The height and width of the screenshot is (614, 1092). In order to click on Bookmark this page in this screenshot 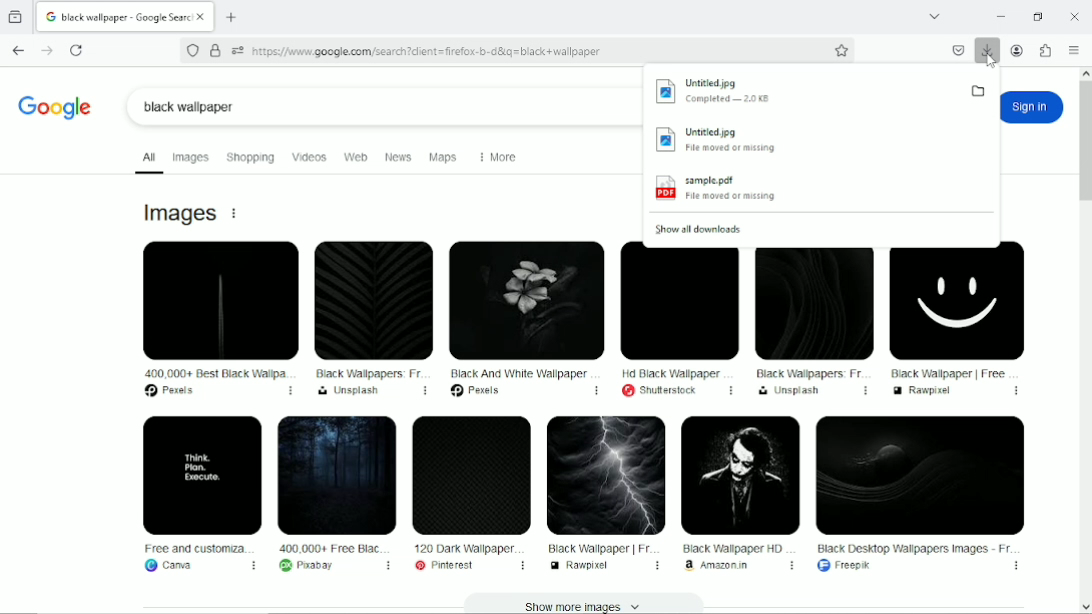, I will do `click(844, 50)`.